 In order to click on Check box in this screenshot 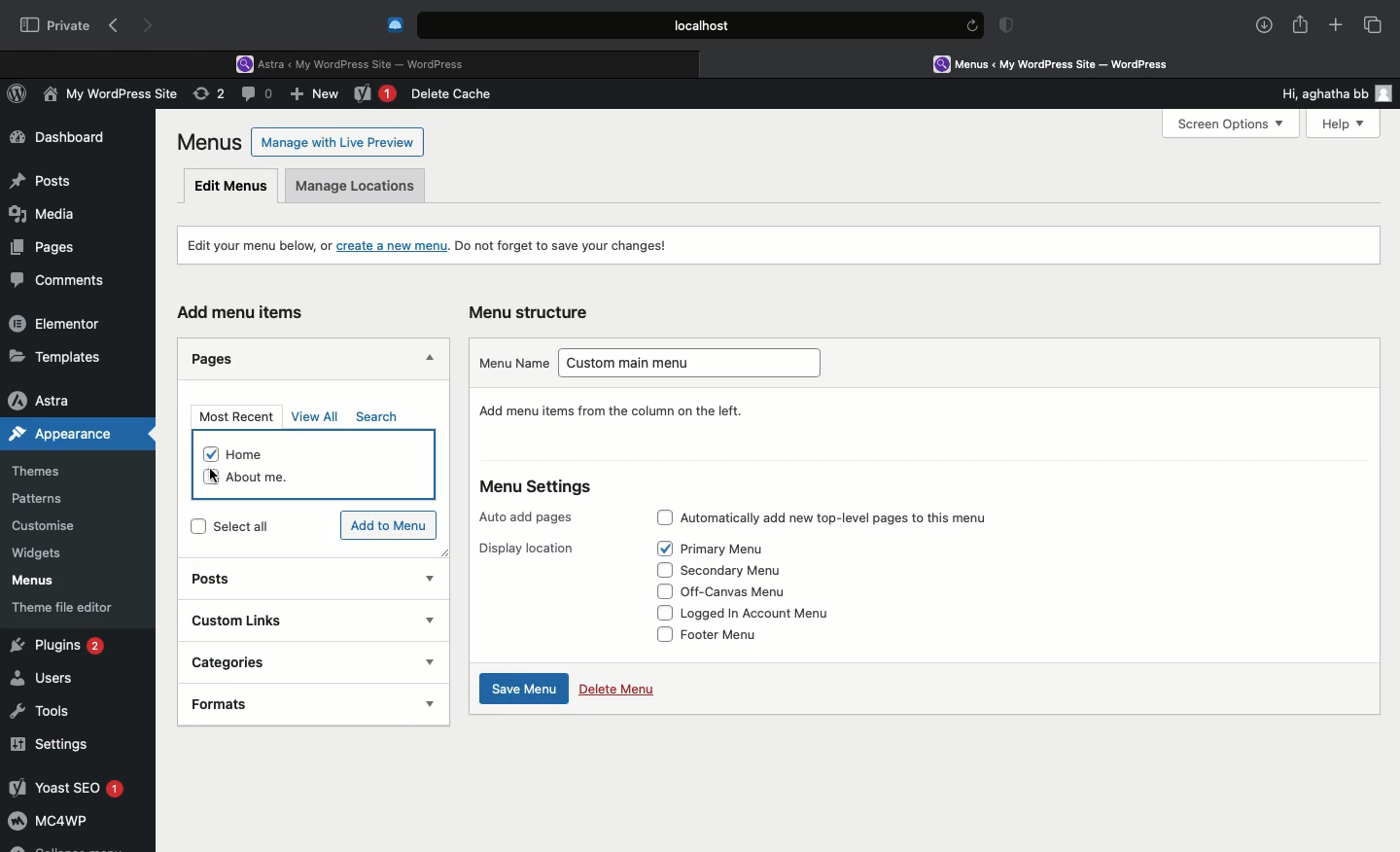, I will do `click(662, 549)`.